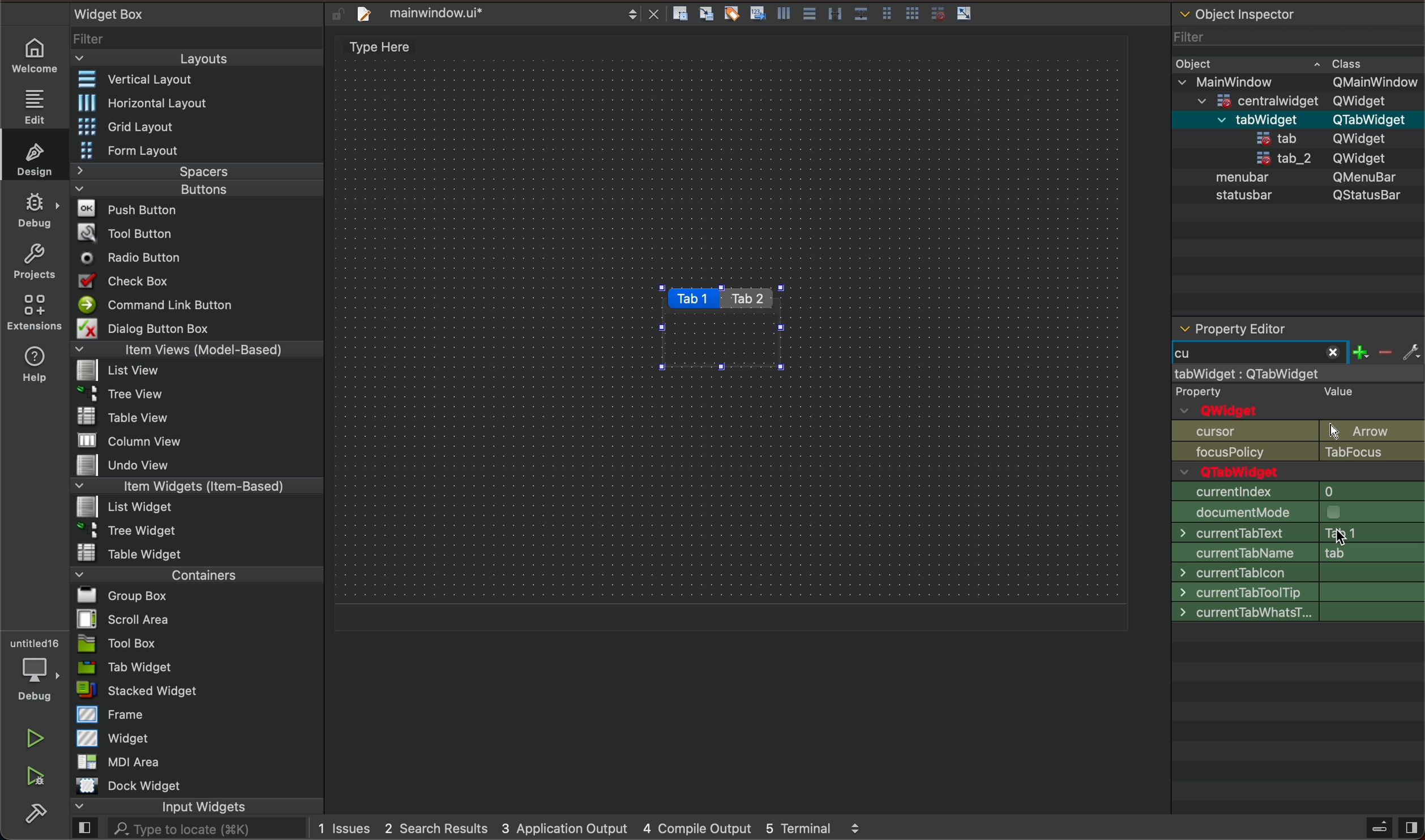  What do you see at coordinates (1300, 491) in the screenshot?
I see `geometry` at bounding box center [1300, 491].